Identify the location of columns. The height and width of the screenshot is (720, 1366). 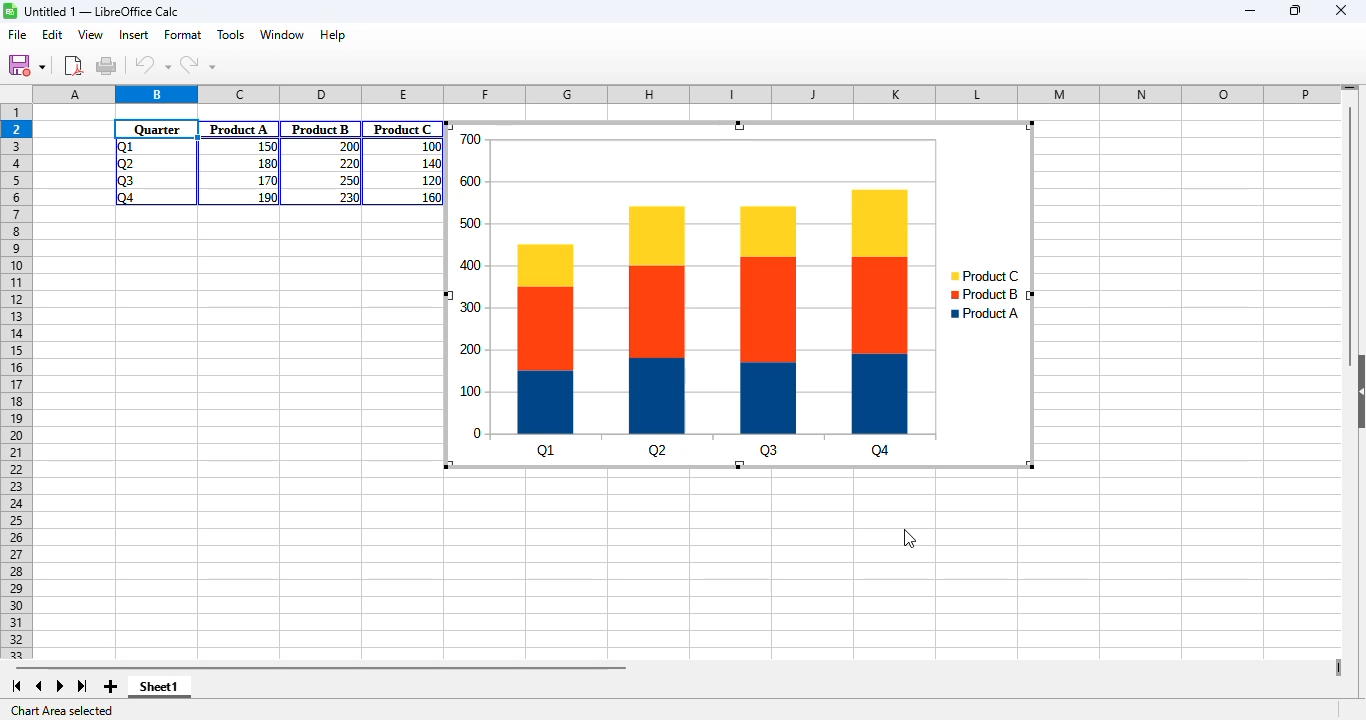
(688, 95).